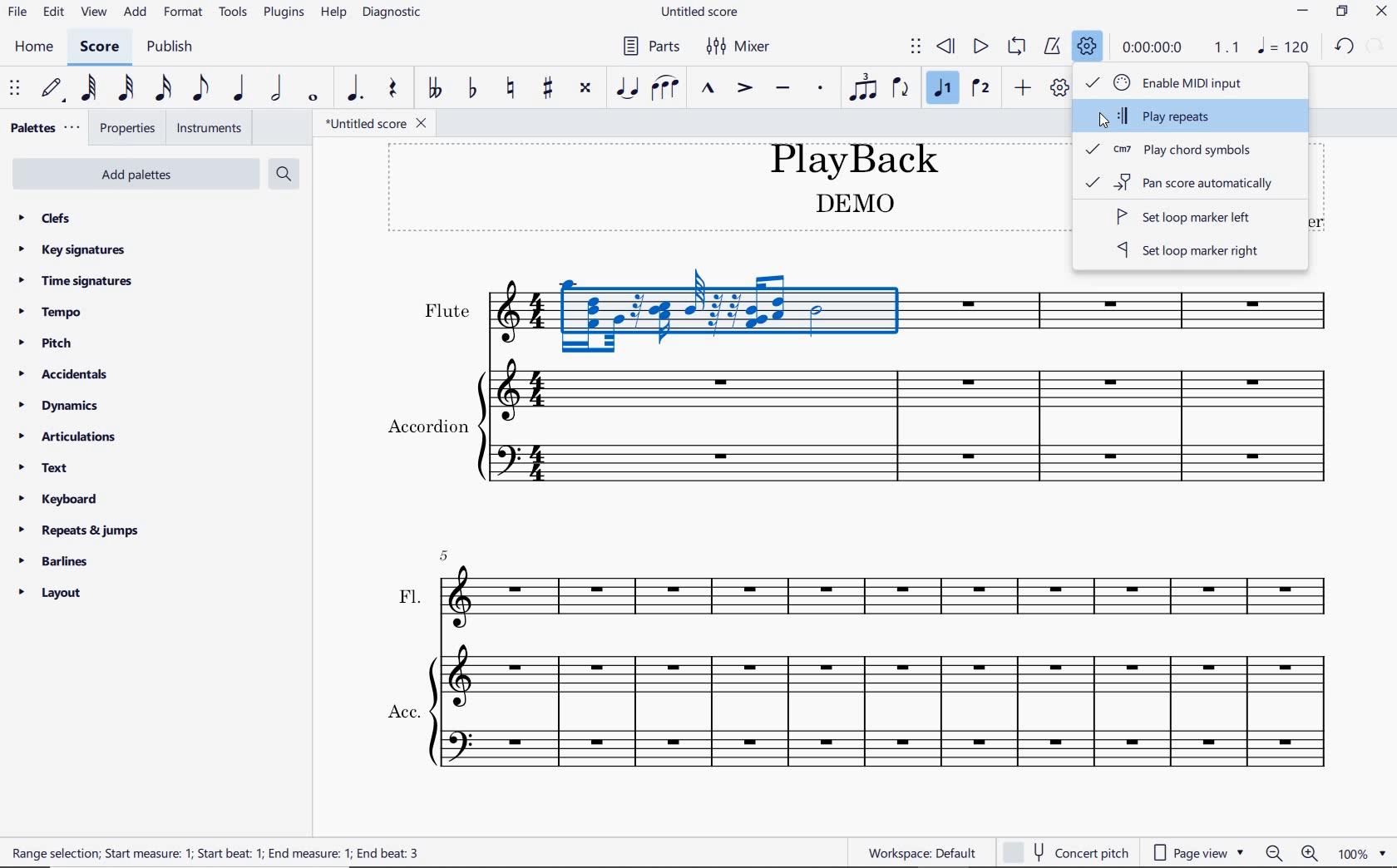 Image resolution: width=1397 pixels, height=868 pixels. What do you see at coordinates (376, 123) in the screenshot?
I see `file name` at bounding box center [376, 123].